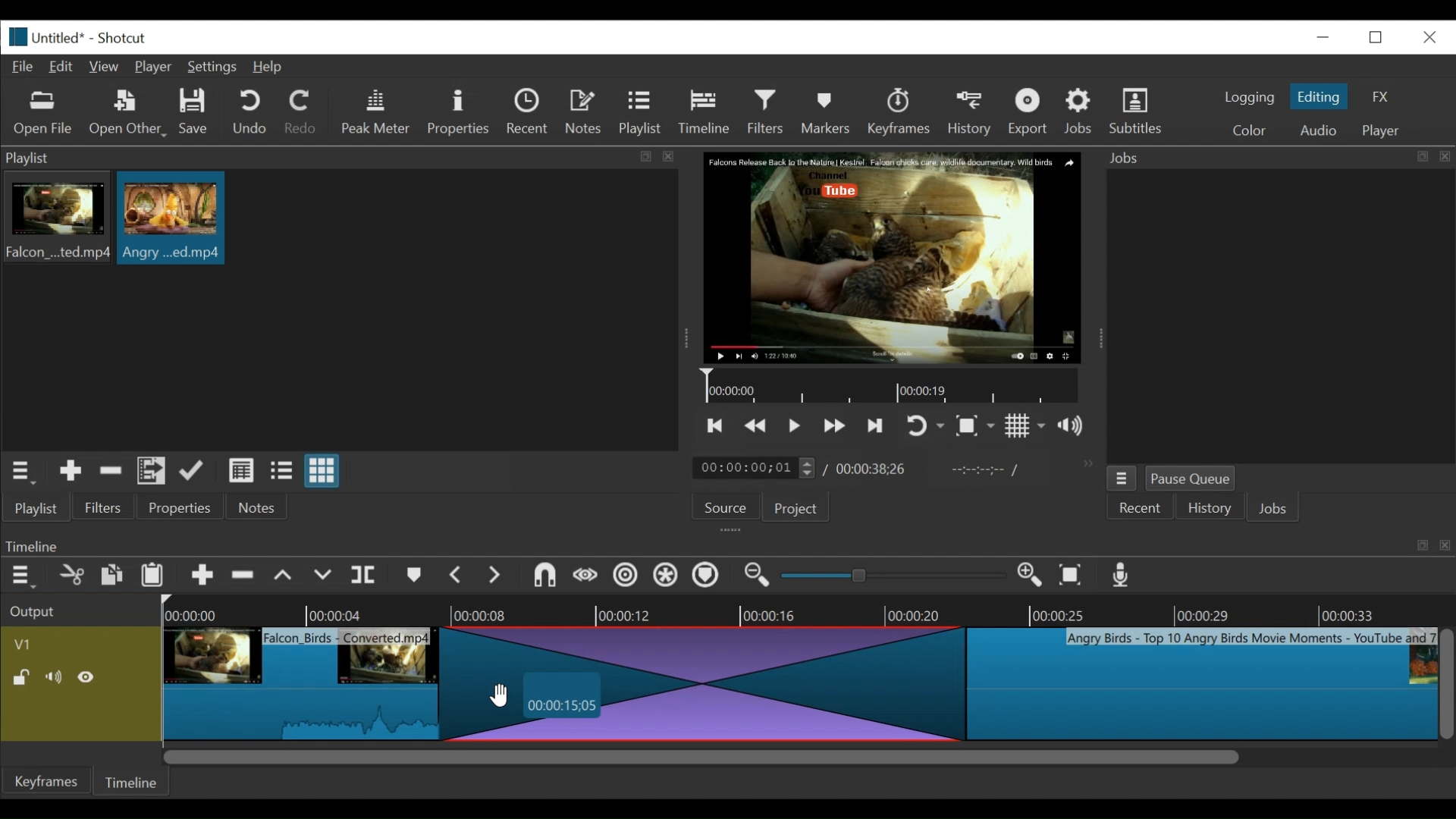 The height and width of the screenshot is (819, 1456). What do you see at coordinates (494, 694) in the screenshot?
I see `cursor` at bounding box center [494, 694].